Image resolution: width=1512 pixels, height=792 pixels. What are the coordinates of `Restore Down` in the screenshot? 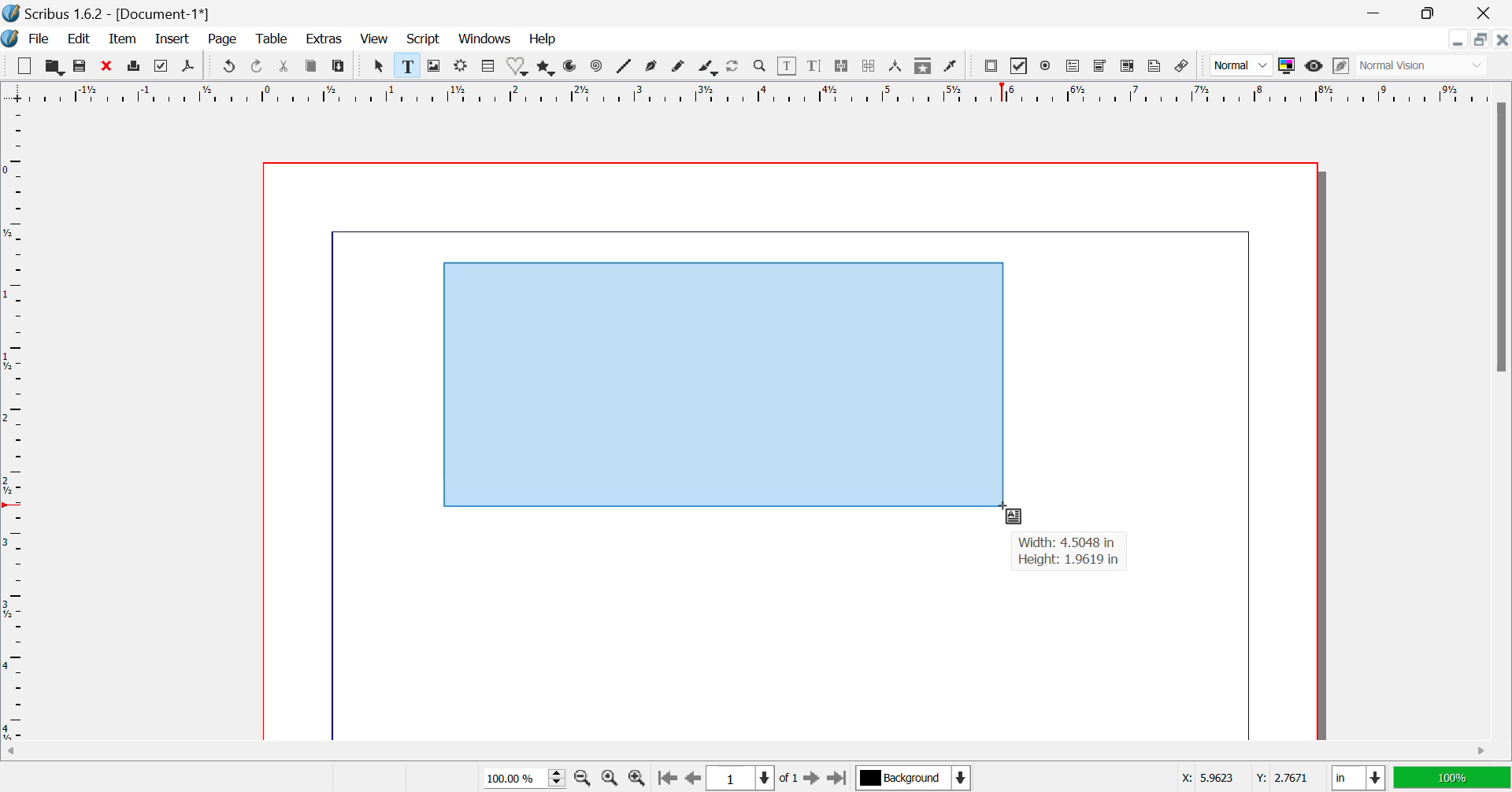 It's located at (1460, 40).